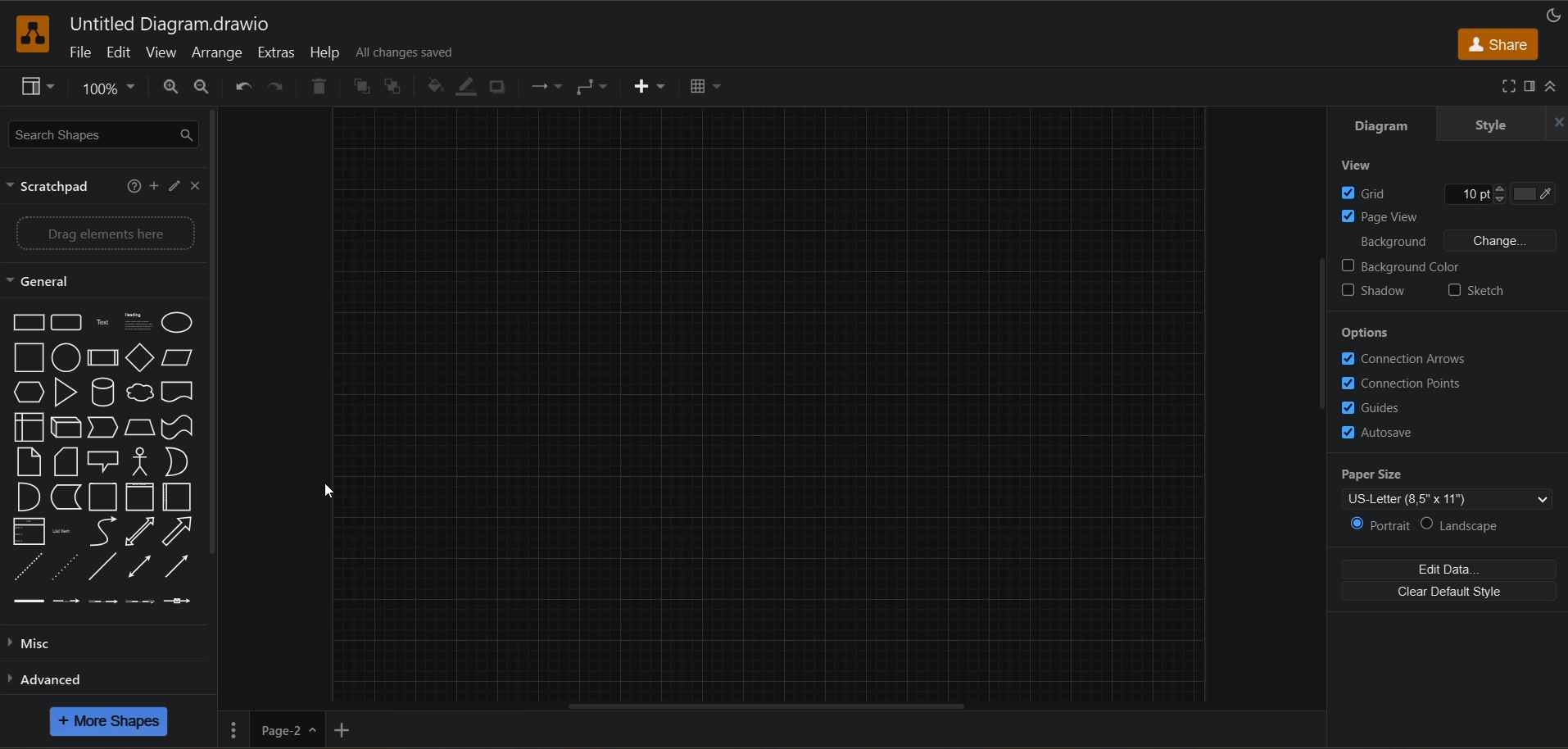  What do you see at coordinates (56, 187) in the screenshot?
I see `scratch pad` at bounding box center [56, 187].